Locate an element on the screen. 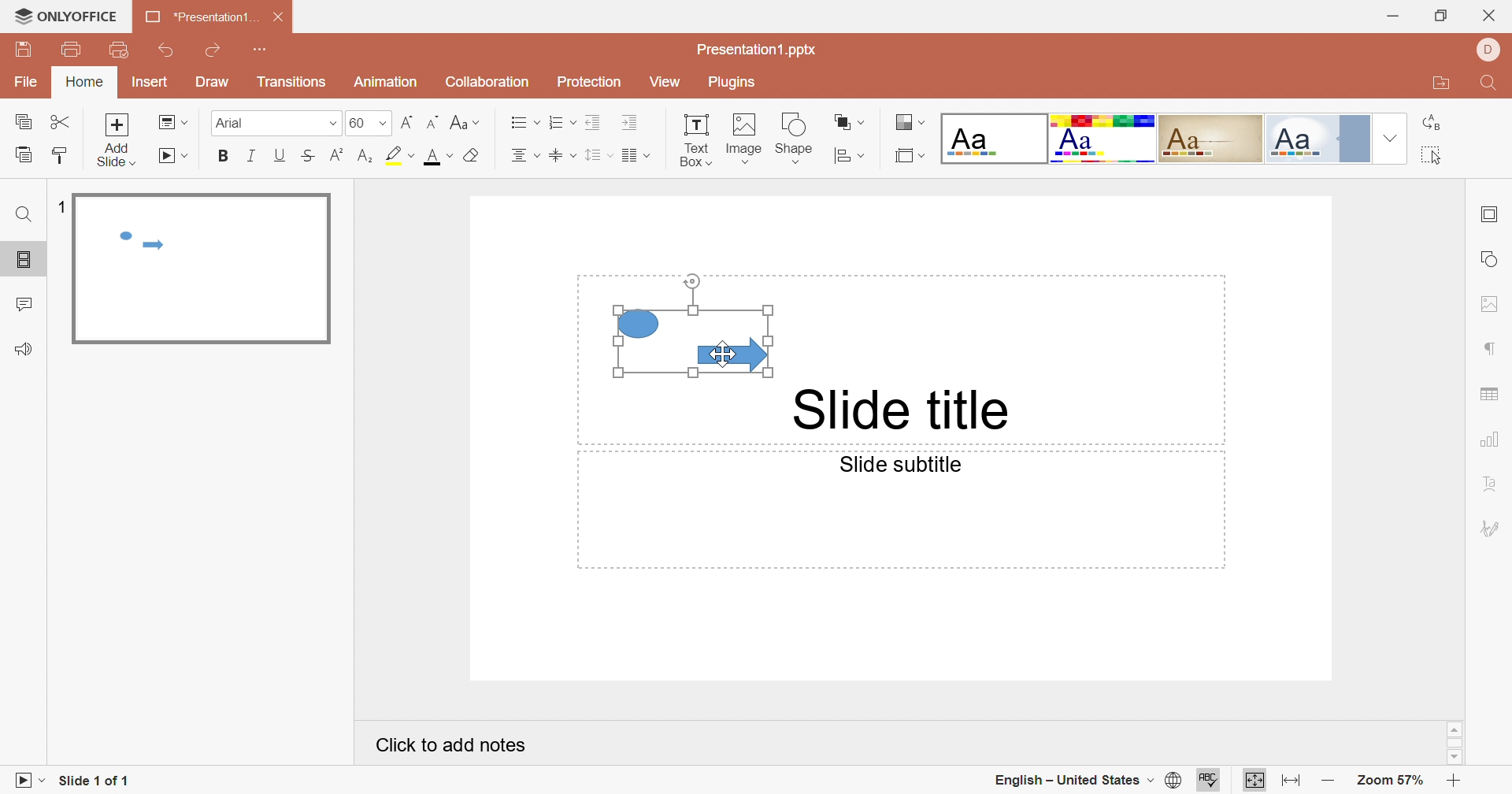 This screenshot has width=1512, height=794. Superscript is located at coordinates (338, 156).